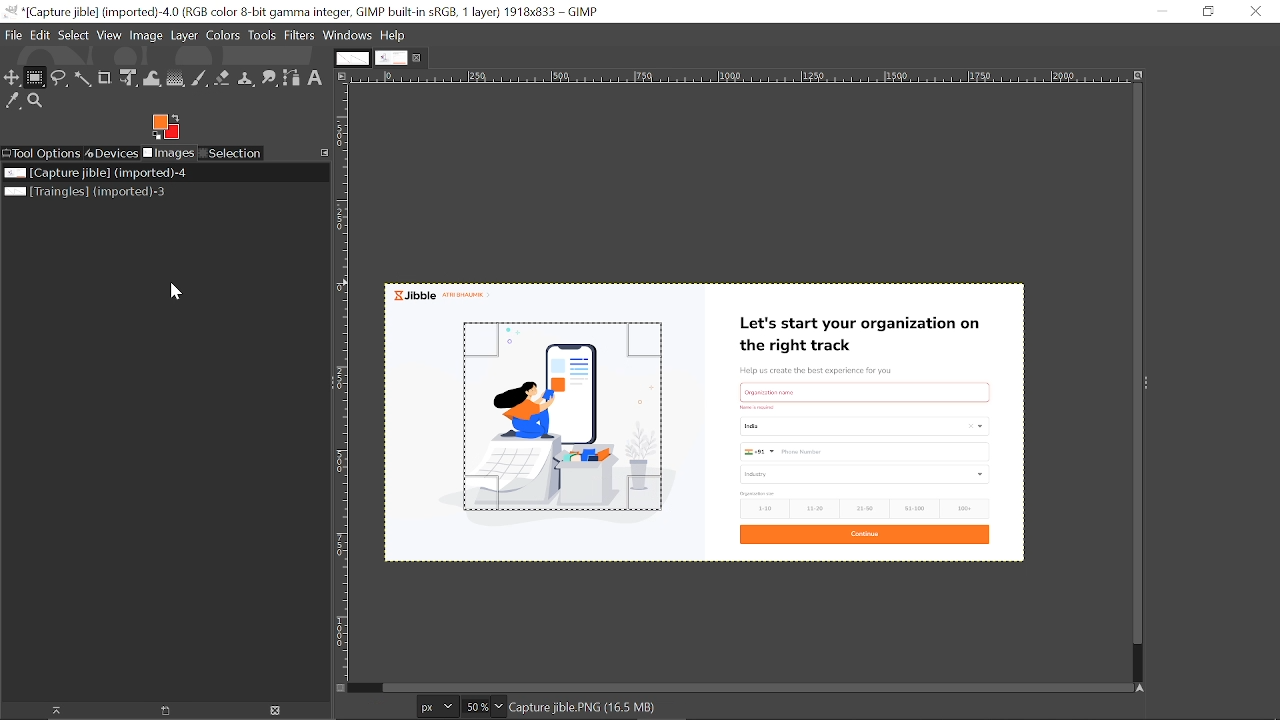 The image size is (1280, 720). Describe the element at coordinates (151, 76) in the screenshot. I see `wrap text` at that location.